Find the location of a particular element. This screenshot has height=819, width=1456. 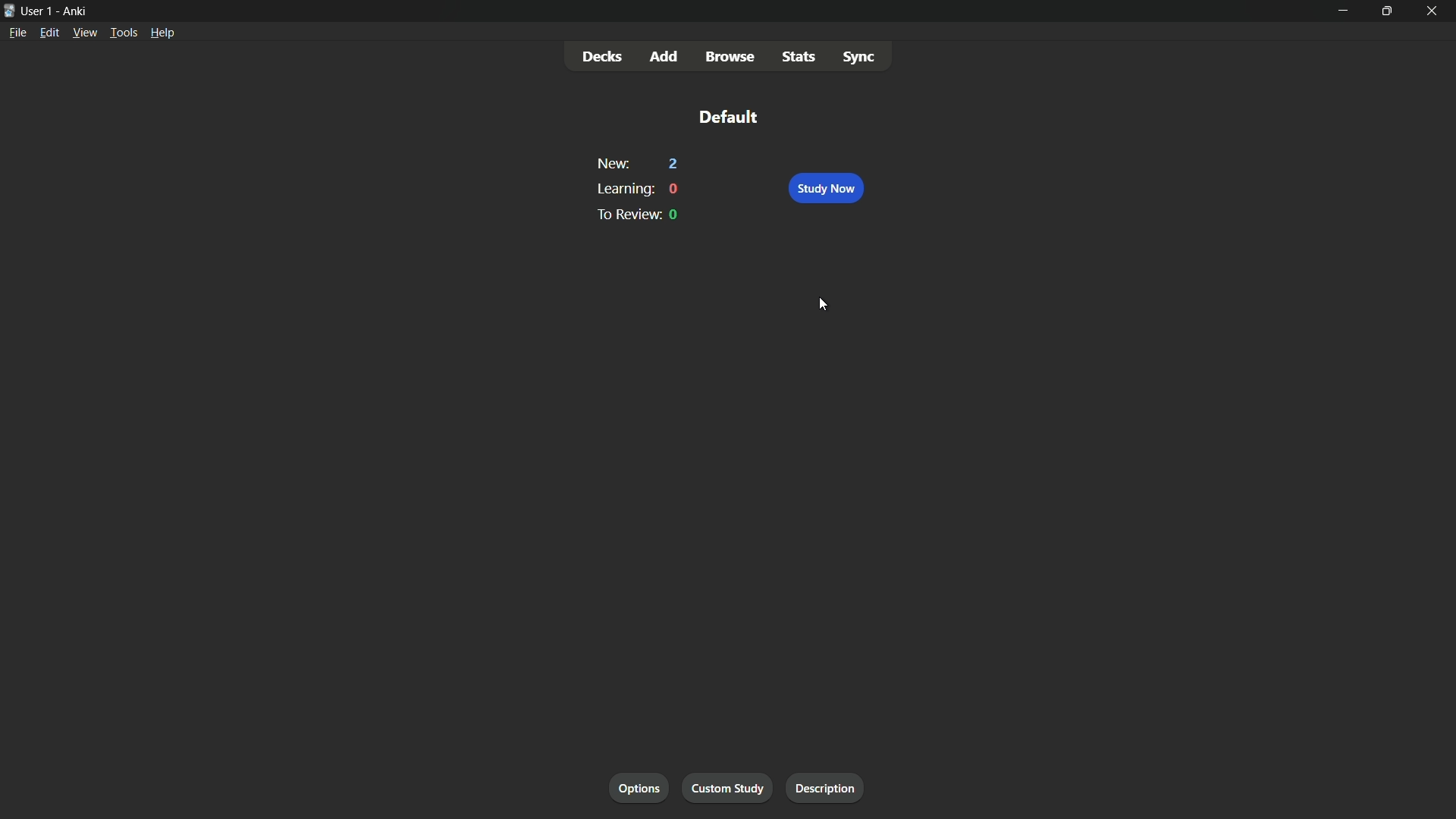

description is located at coordinates (822, 786).